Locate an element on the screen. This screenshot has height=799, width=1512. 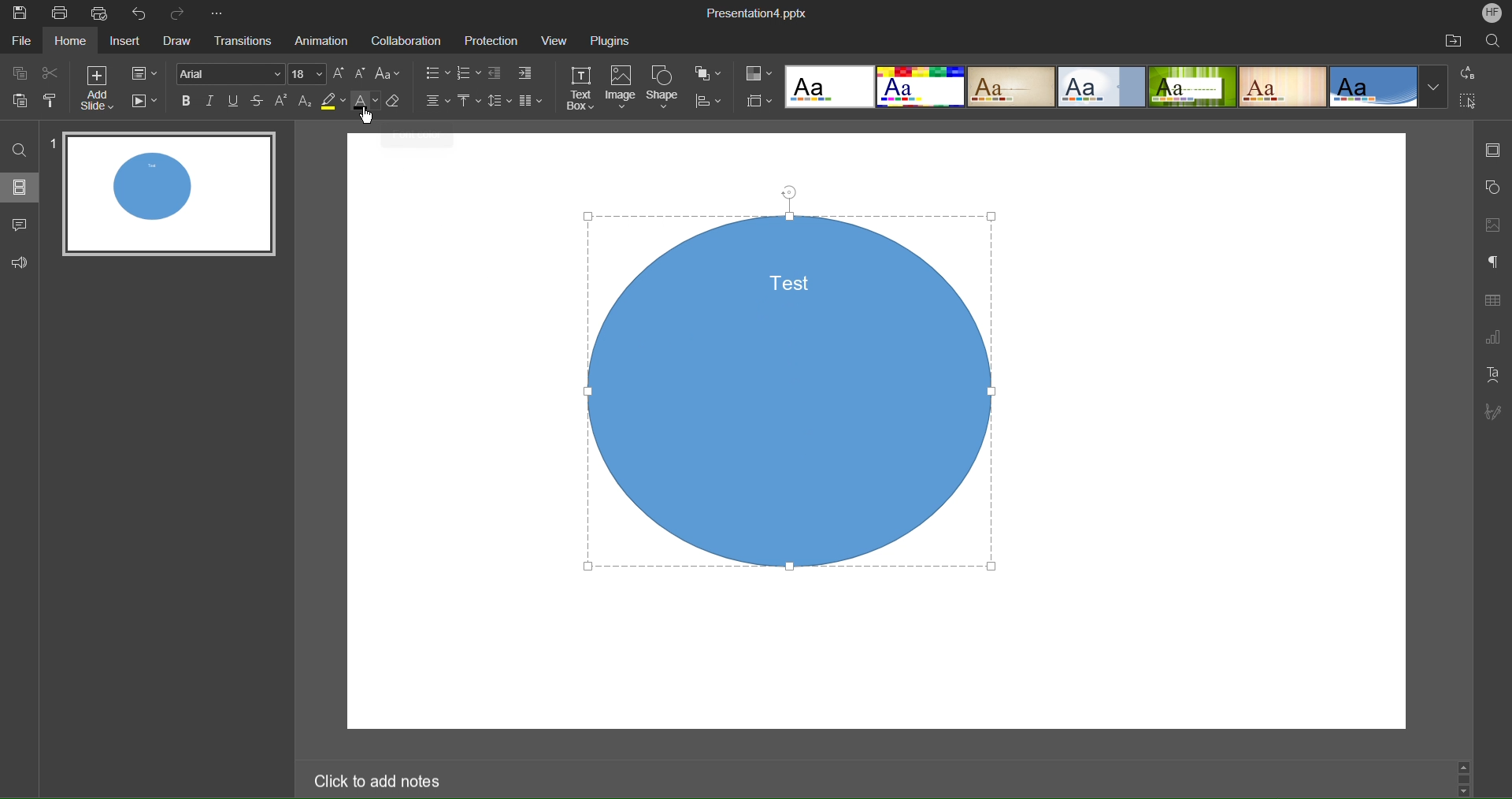
Indents is located at coordinates (516, 74).